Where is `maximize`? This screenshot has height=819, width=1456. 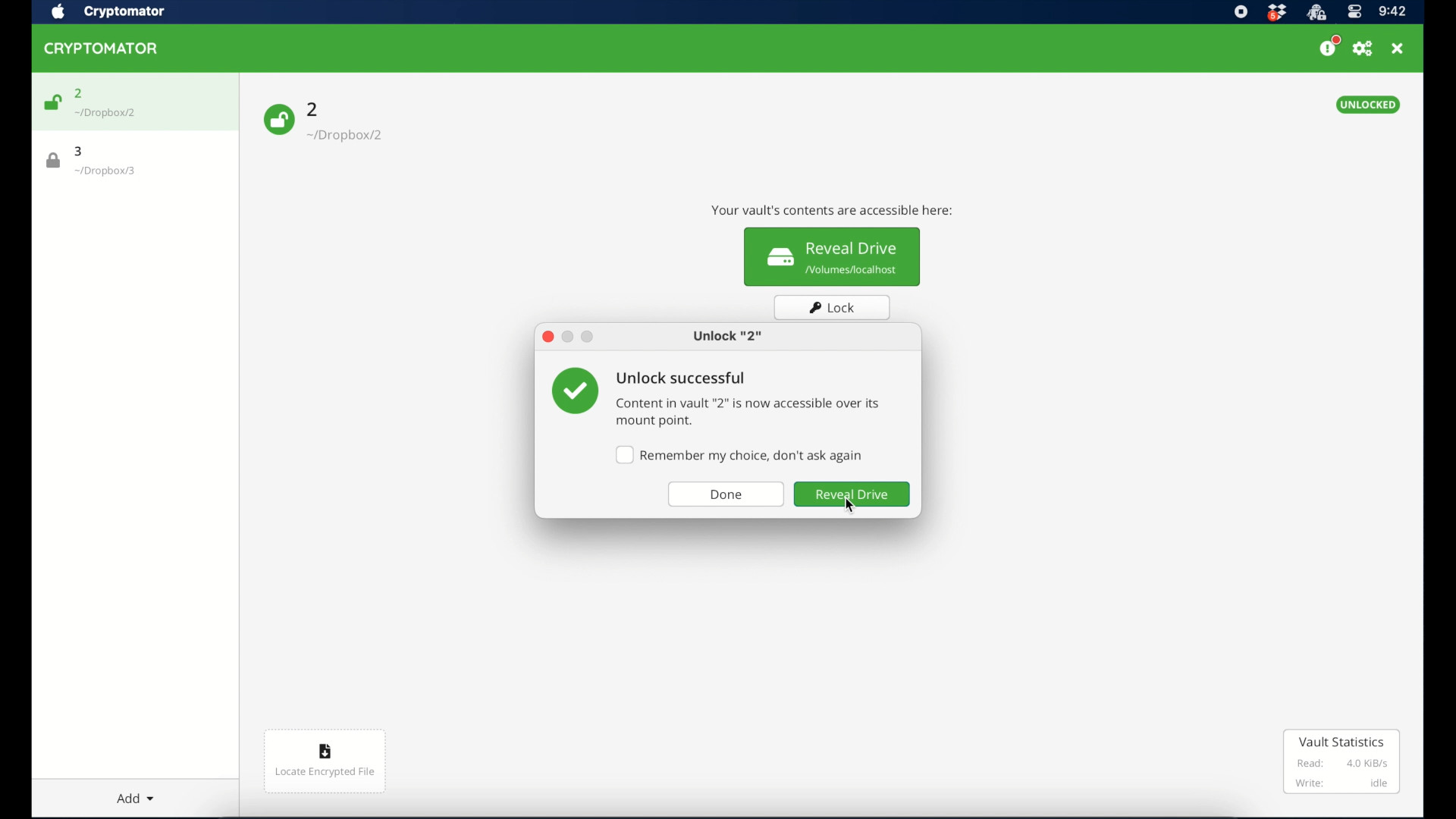
maximize is located at coordinates (588, 337).